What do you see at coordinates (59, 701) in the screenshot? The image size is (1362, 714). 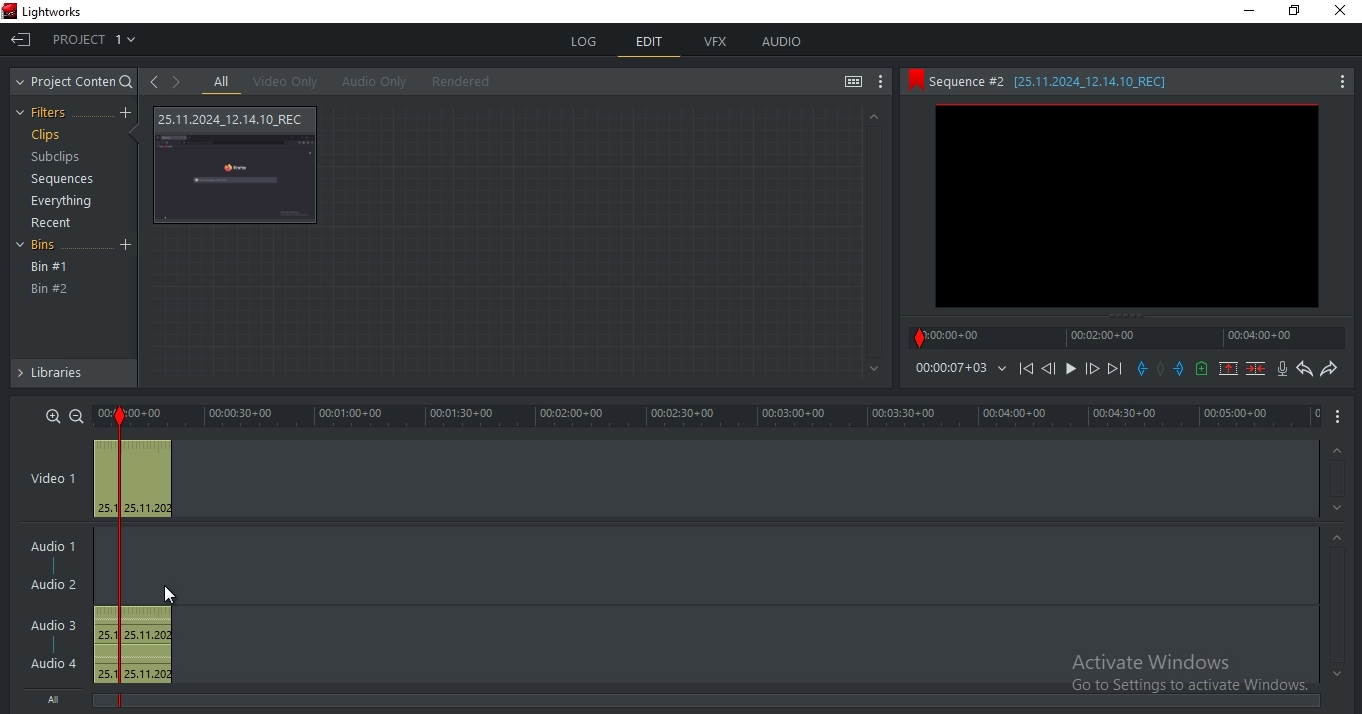 I see `All` at bounding box center [59, 701].